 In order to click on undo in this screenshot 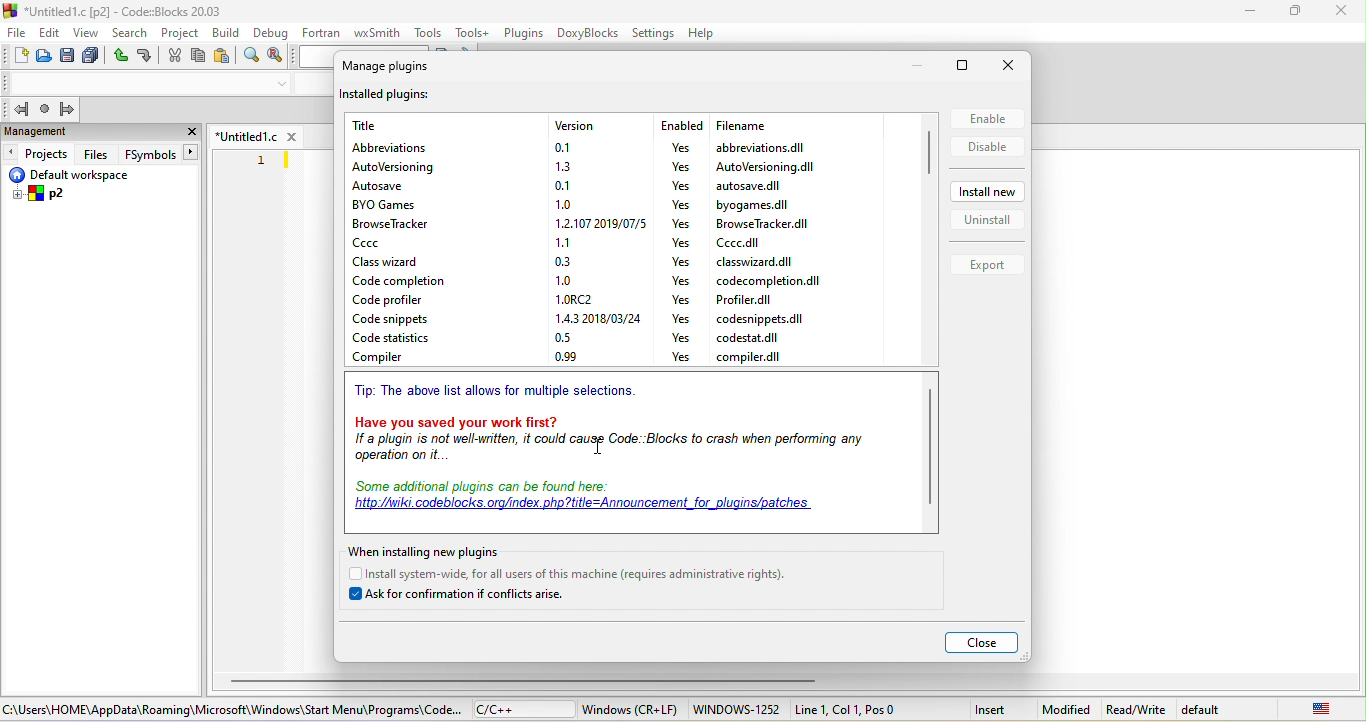, I will do `click(121, 55)`.